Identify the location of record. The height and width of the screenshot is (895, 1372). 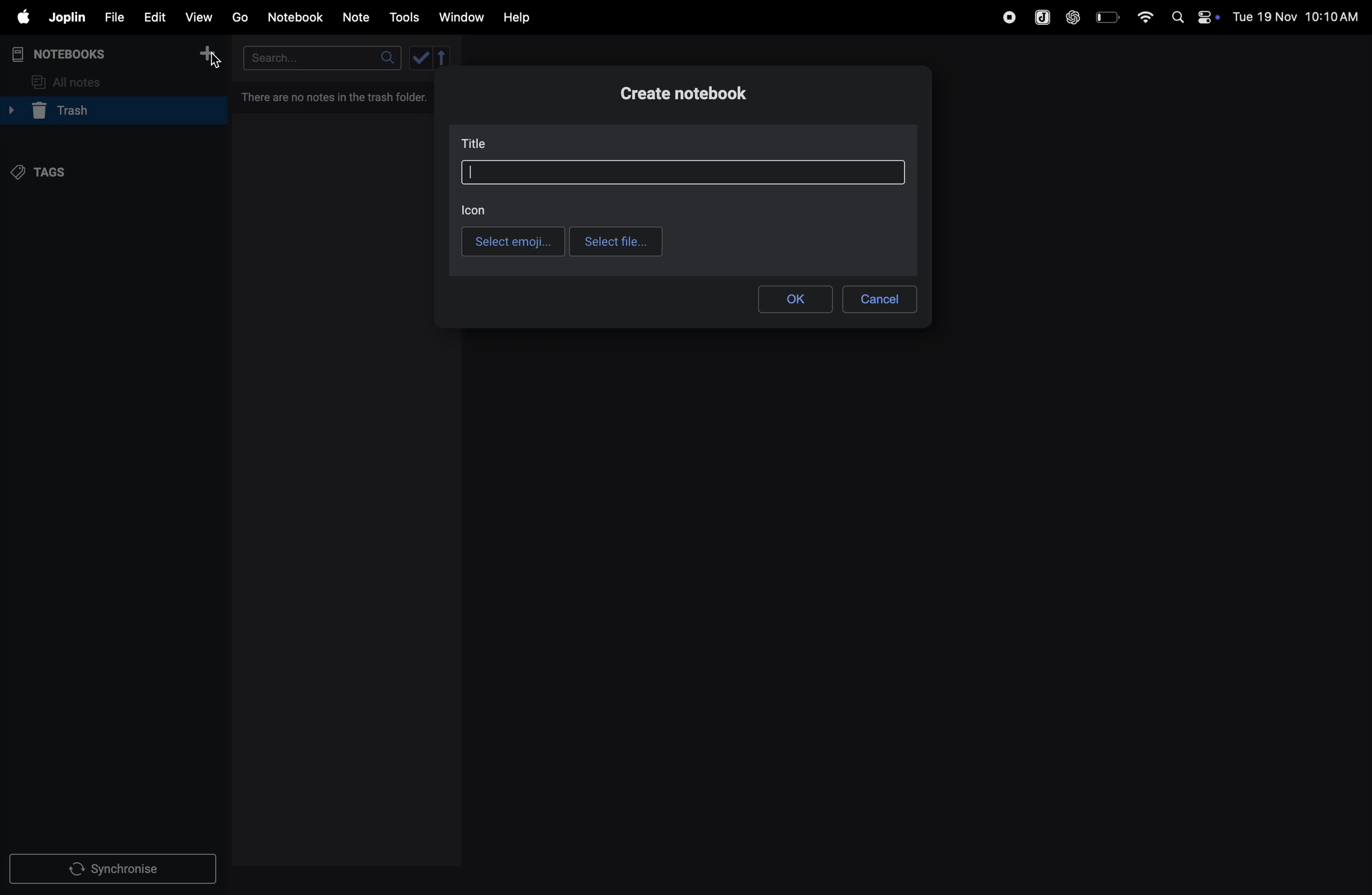
(1005, 17).